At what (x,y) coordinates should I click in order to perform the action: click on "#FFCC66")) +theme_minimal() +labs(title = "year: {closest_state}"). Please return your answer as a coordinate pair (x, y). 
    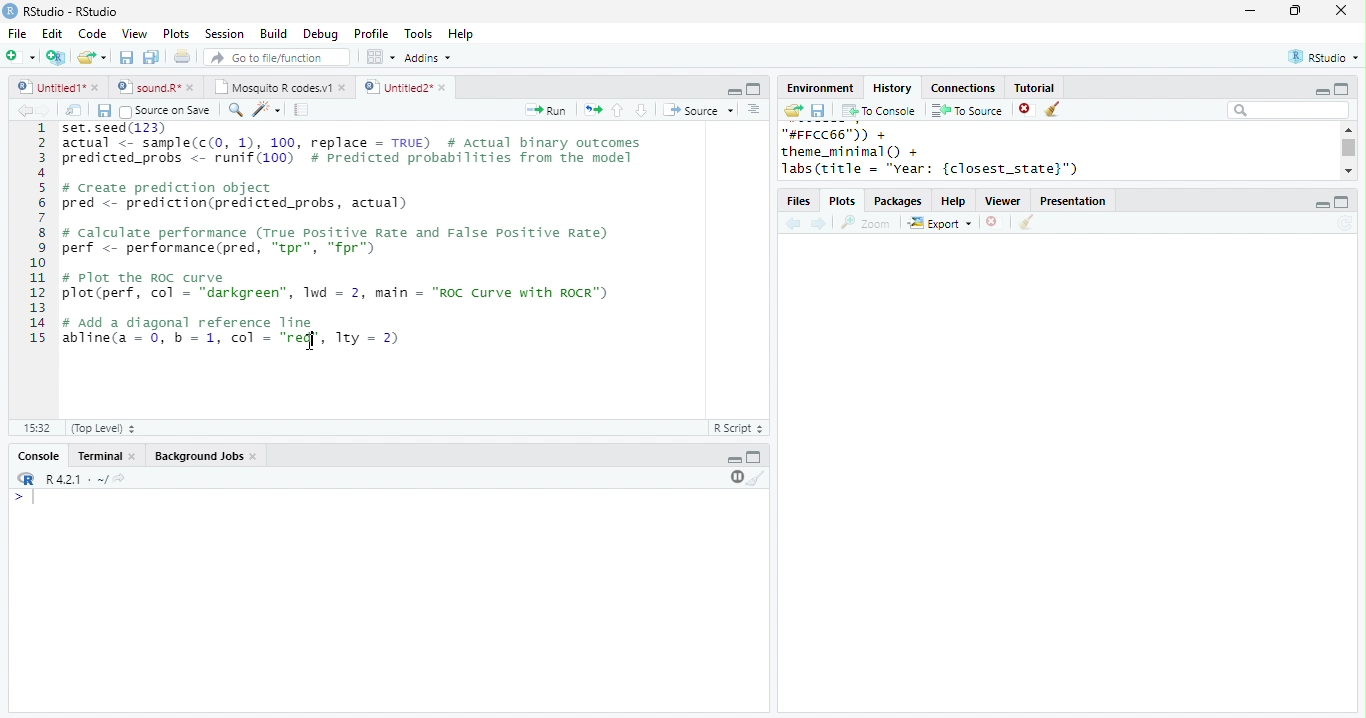
    Looking at the image, I should click on (955, 152).